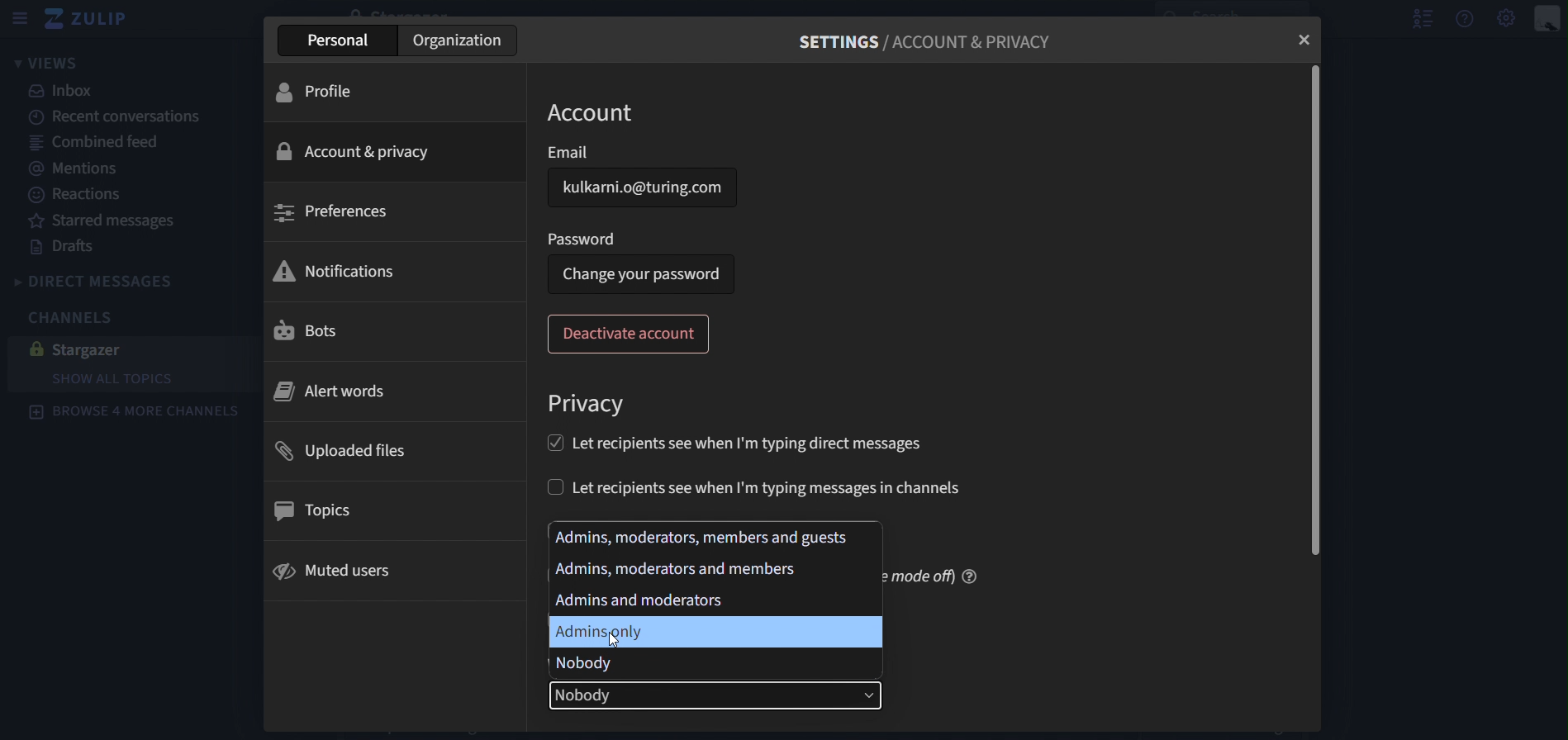  I want to click on close, so click(1305, 39).